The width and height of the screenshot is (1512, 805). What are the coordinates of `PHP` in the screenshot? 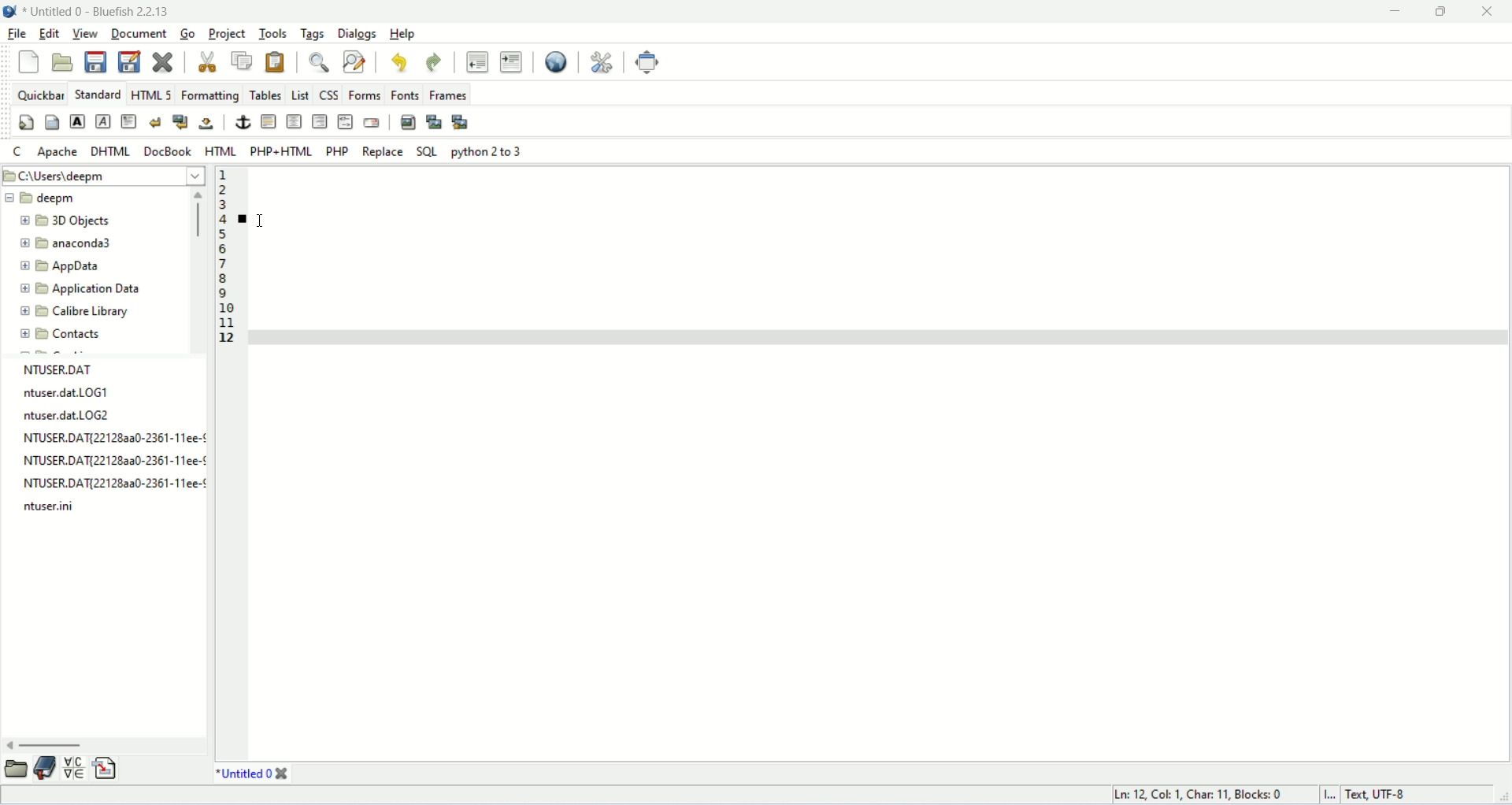 It's located at (336, 151).